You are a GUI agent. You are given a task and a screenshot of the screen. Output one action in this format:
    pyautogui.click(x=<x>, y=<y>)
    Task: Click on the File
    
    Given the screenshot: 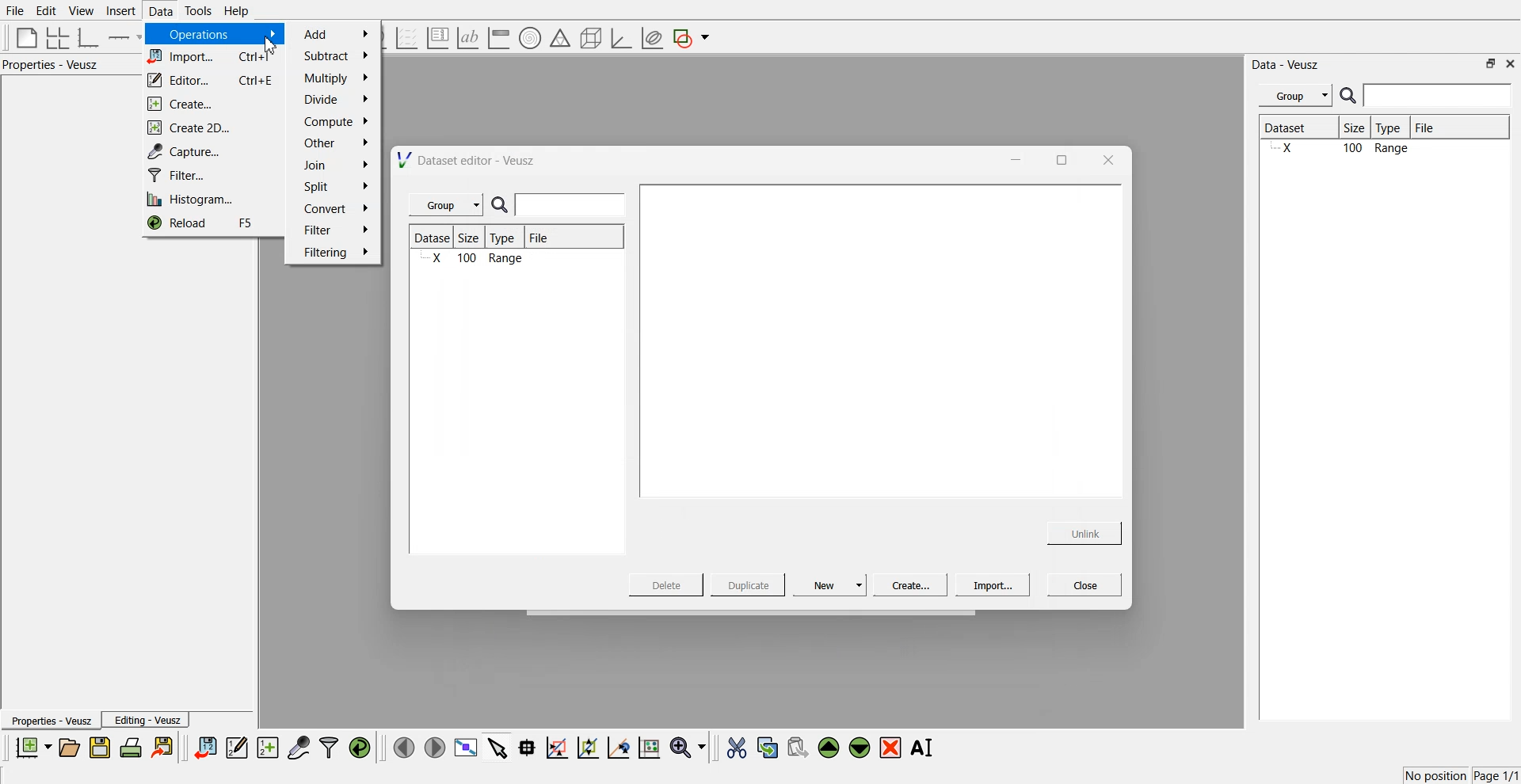 What is the action you would take?
    pyautogui.click(x=1439, y=127)
    